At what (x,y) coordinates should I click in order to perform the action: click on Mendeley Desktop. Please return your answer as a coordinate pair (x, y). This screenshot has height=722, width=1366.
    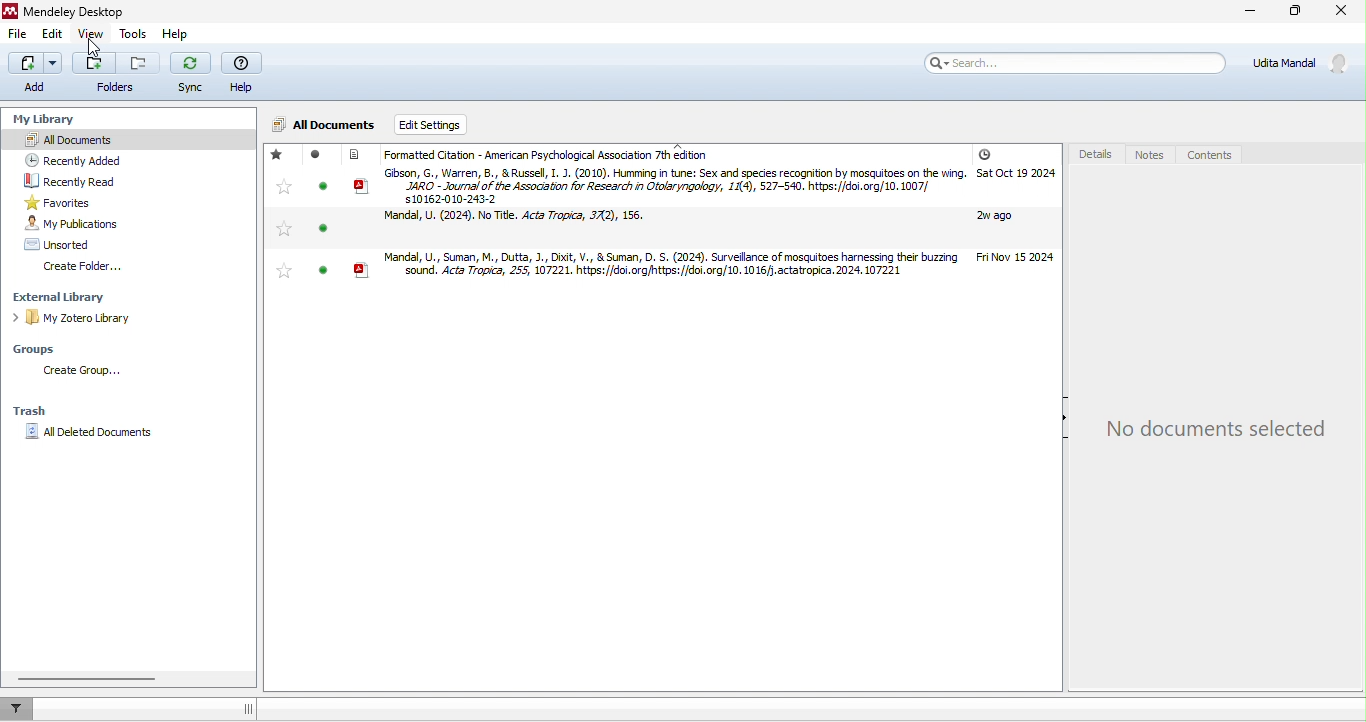
    Looking at the image, I should click on (77, 10).